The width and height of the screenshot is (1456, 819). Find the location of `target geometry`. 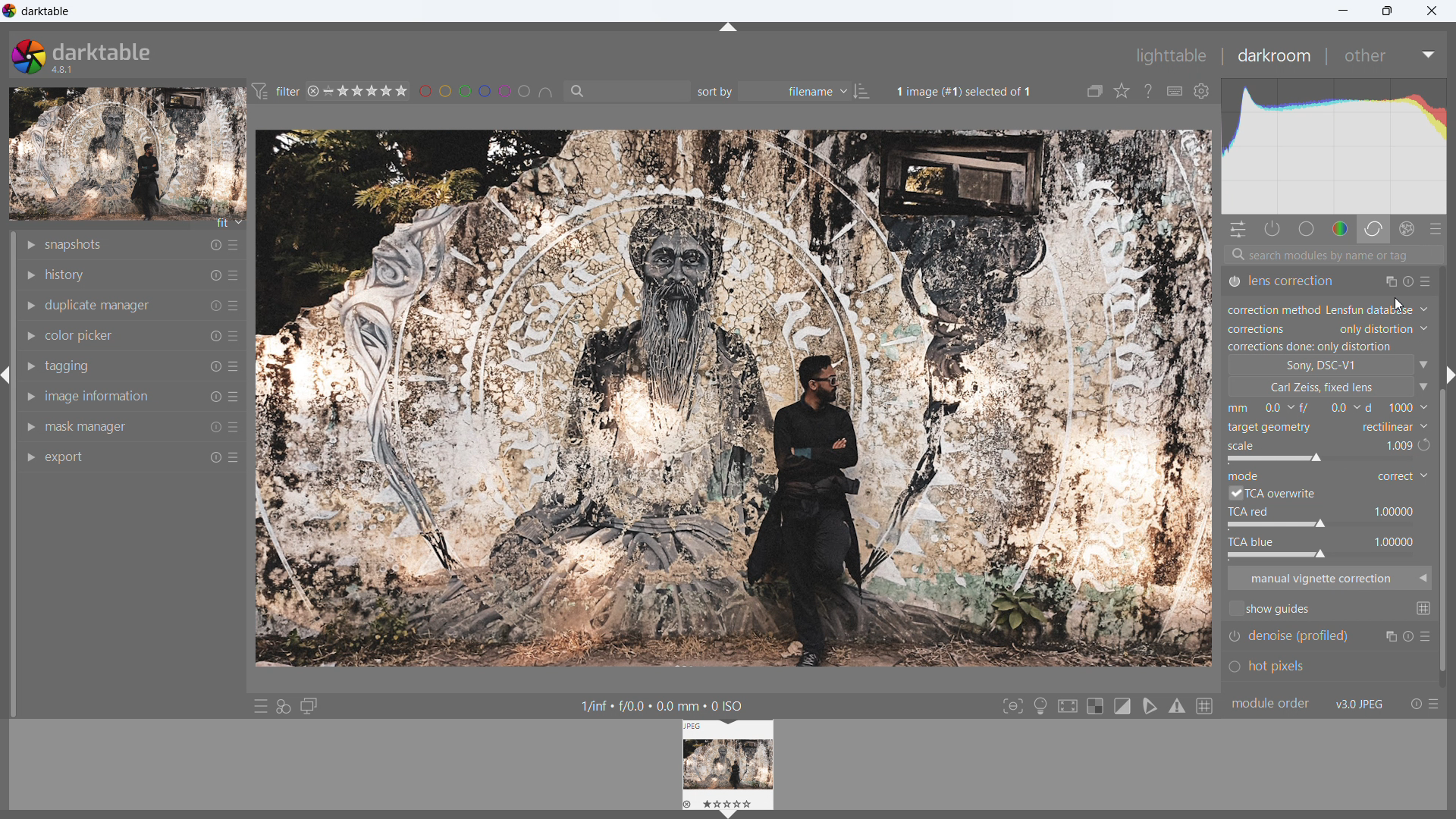

target geometry is located at coordinates (1389, 427).